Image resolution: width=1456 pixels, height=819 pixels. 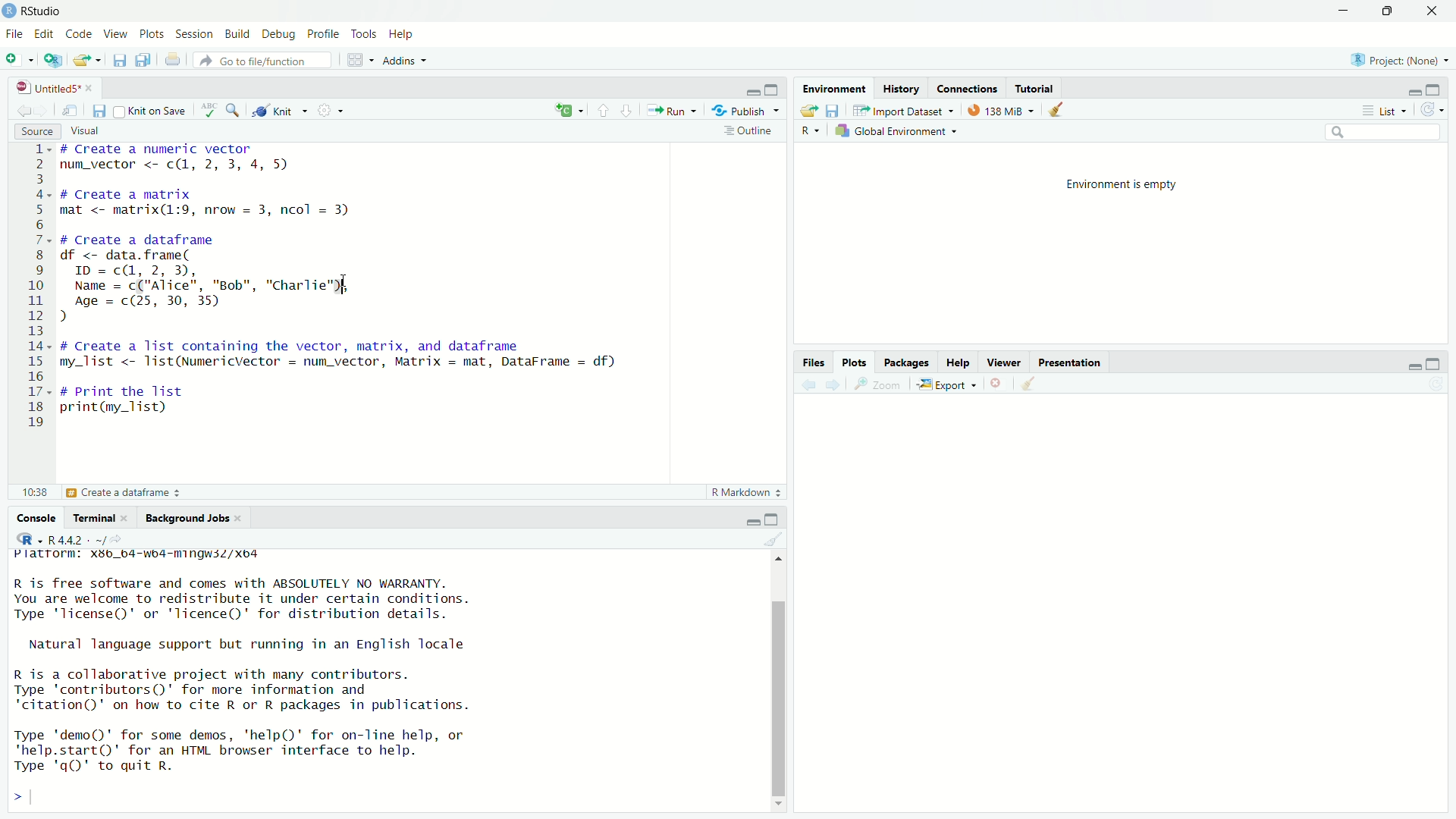 I want to click on Presentation, so click(x=1077, y=362).